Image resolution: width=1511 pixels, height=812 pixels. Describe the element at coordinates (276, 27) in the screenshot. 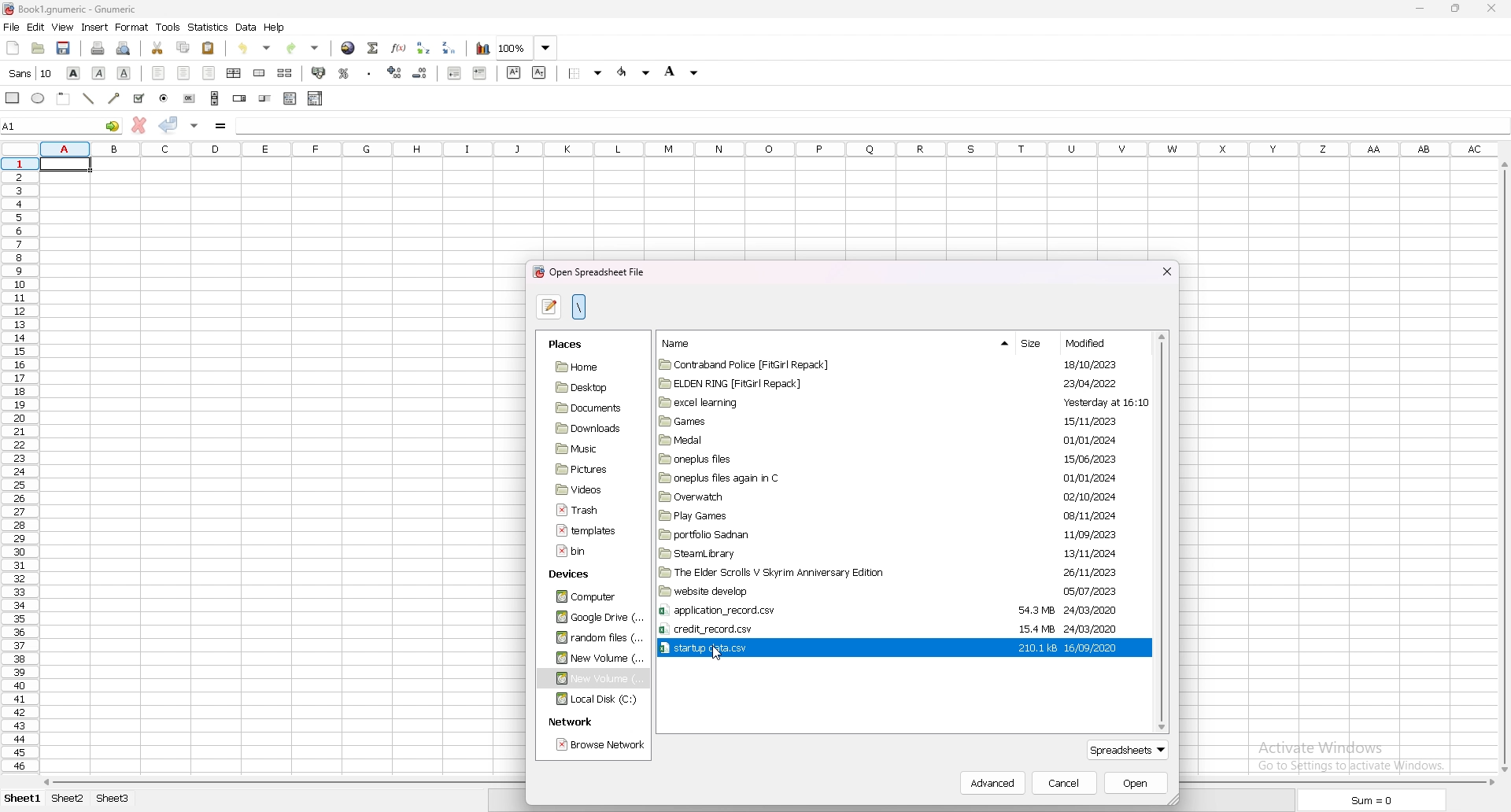

I see `help` at that location.